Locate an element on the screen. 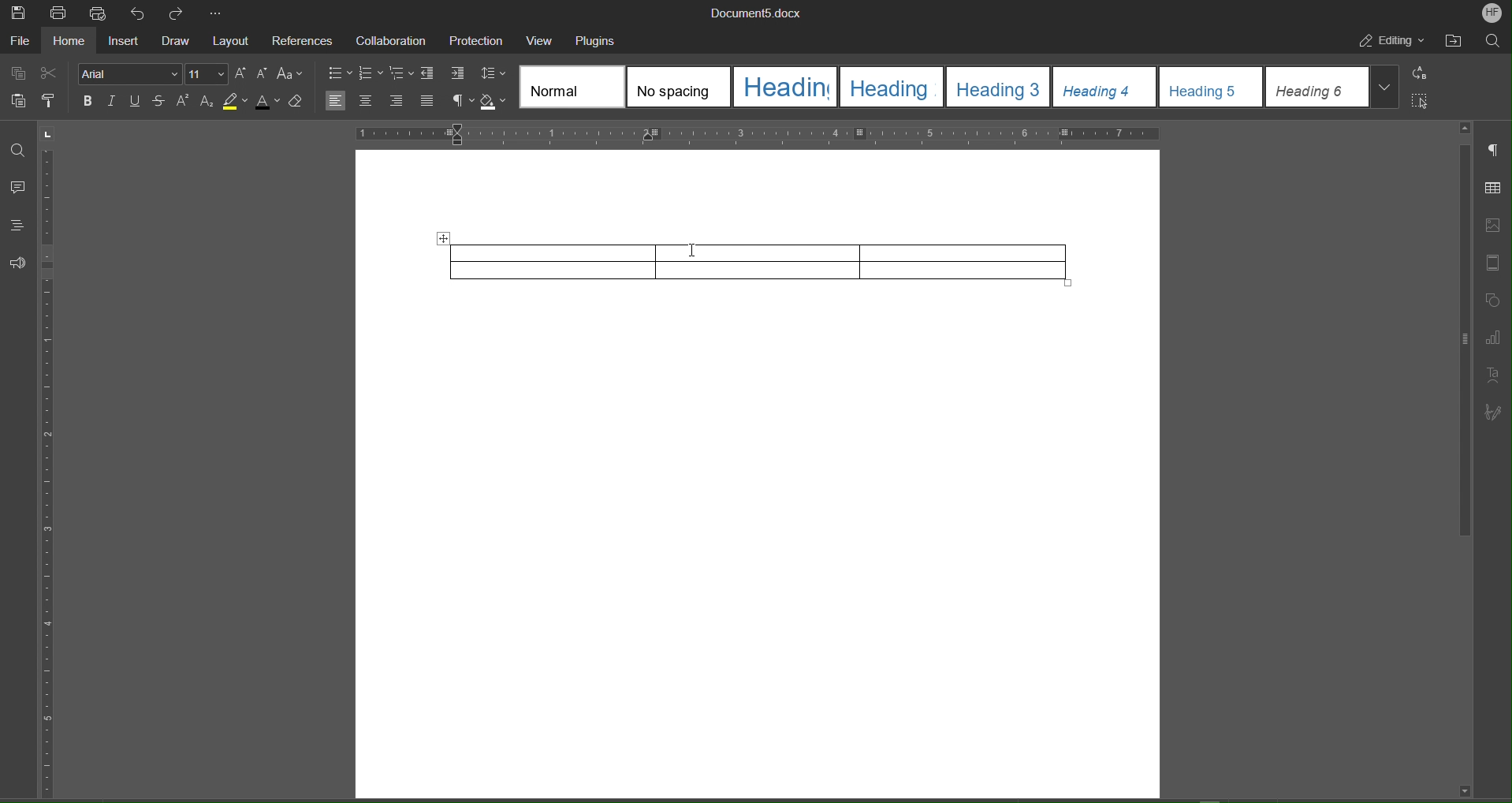 This screenshot has width=1512, height=803. More styles is located at coordinates (1385, 85).